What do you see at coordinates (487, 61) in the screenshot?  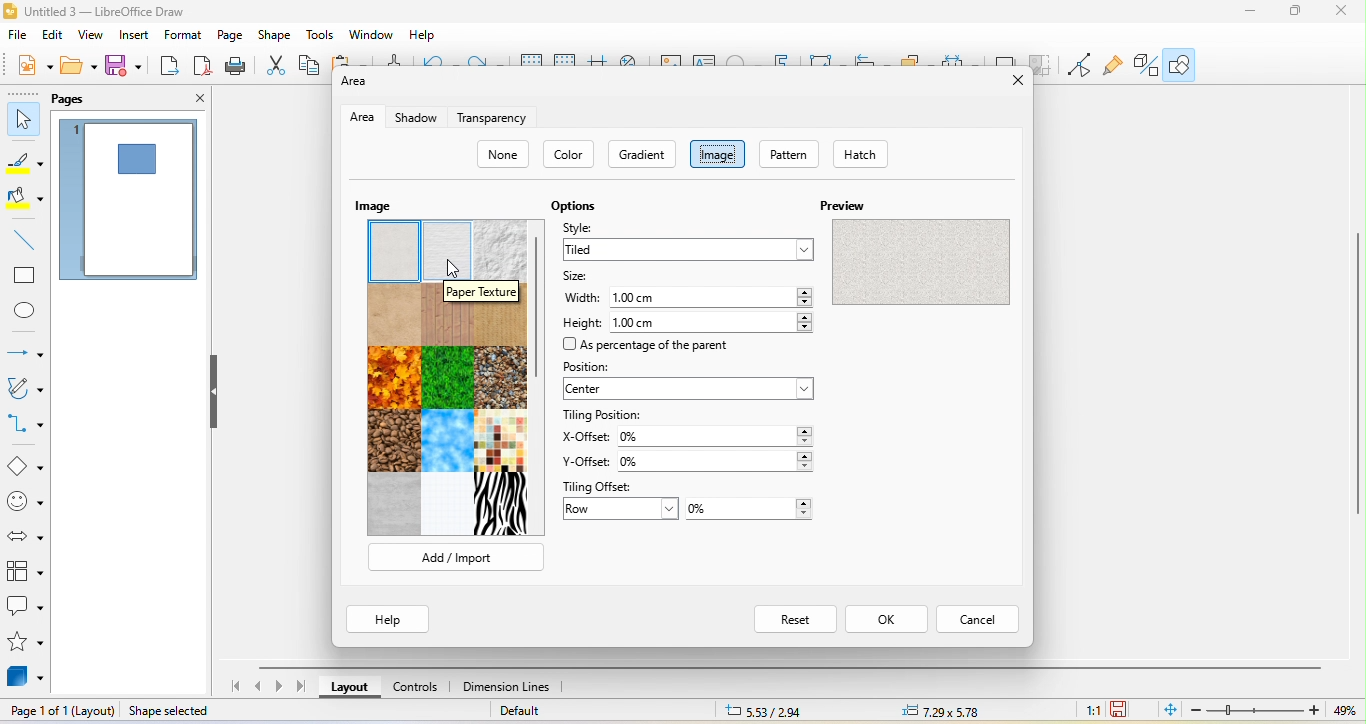 I see `redo` at bounding box center [487, 61].